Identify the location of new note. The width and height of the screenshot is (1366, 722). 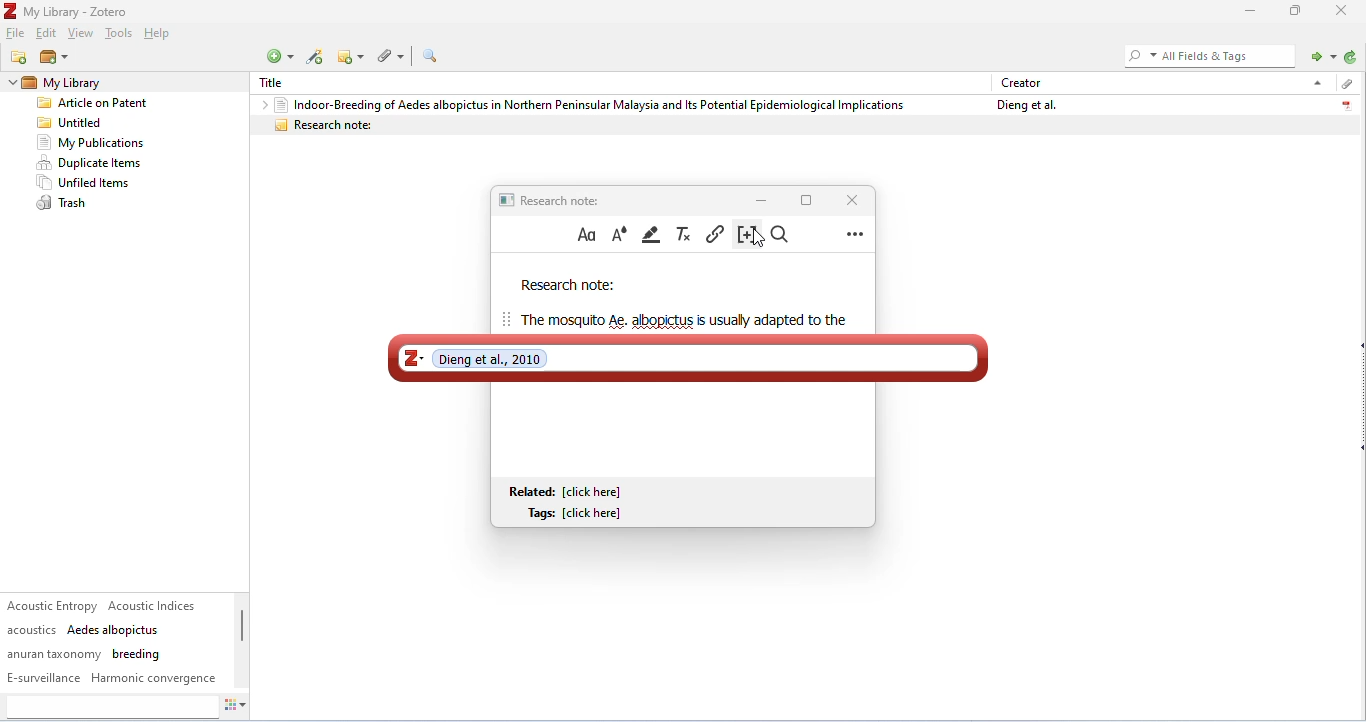
(353, 56).